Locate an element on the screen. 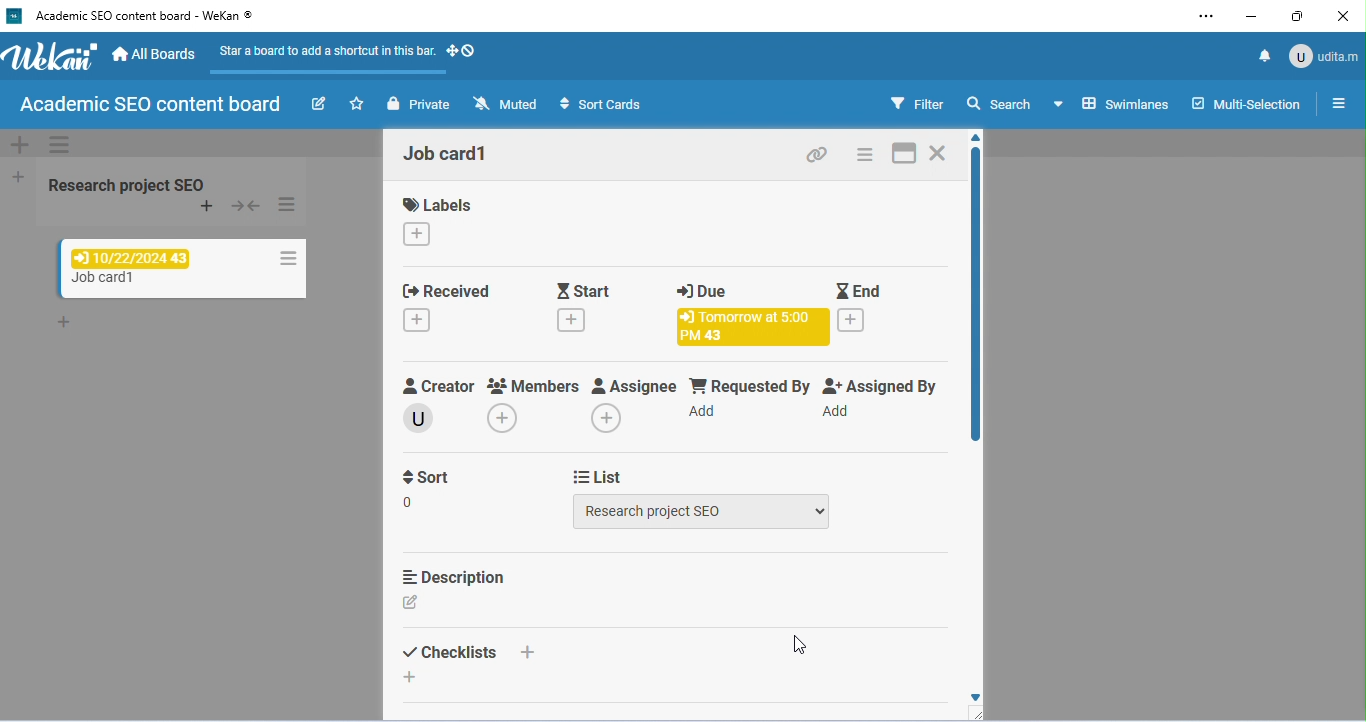 The image size is (1366, 722). add assignee is located at coordinates (606, 417).